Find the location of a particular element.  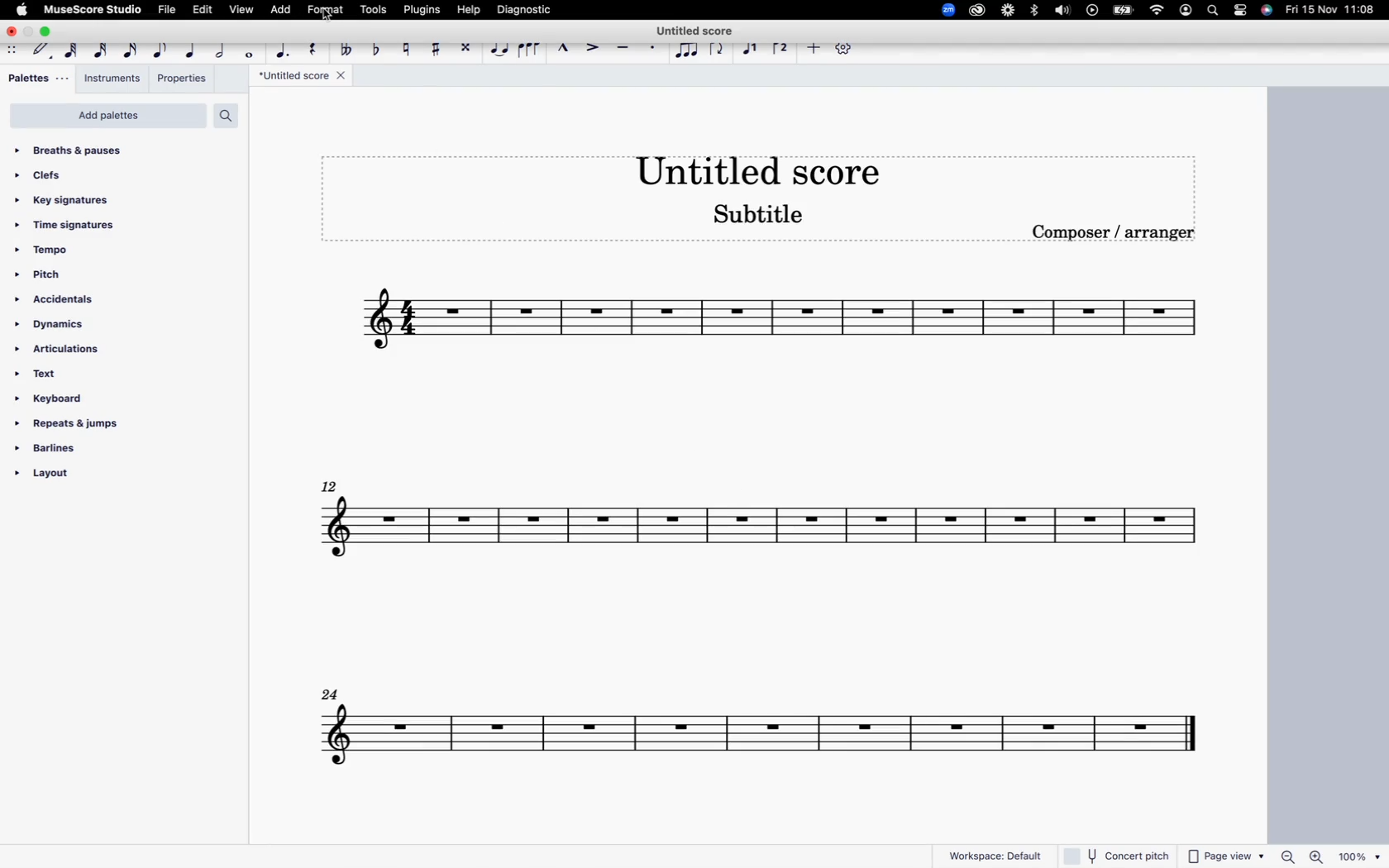

text is located at coordinates (45, 375).